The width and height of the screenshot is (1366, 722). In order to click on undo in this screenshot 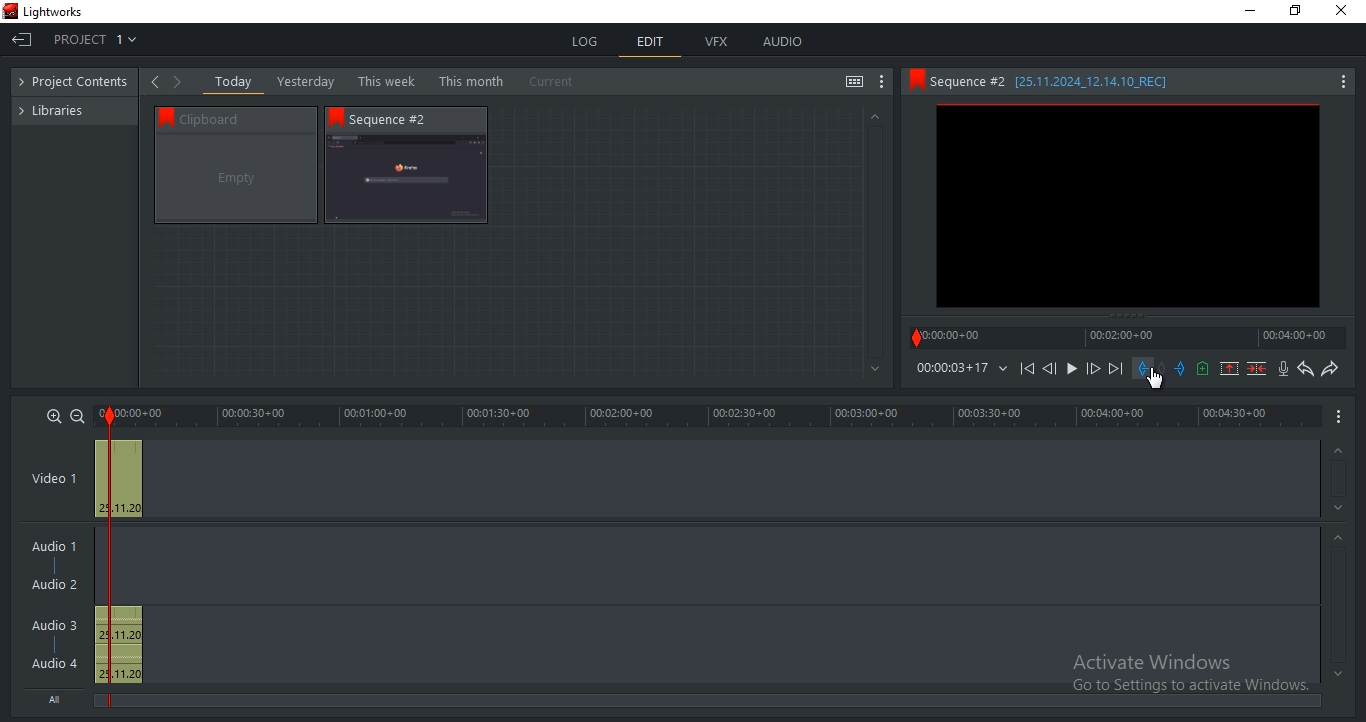, I will do `click(1306, 369)`.